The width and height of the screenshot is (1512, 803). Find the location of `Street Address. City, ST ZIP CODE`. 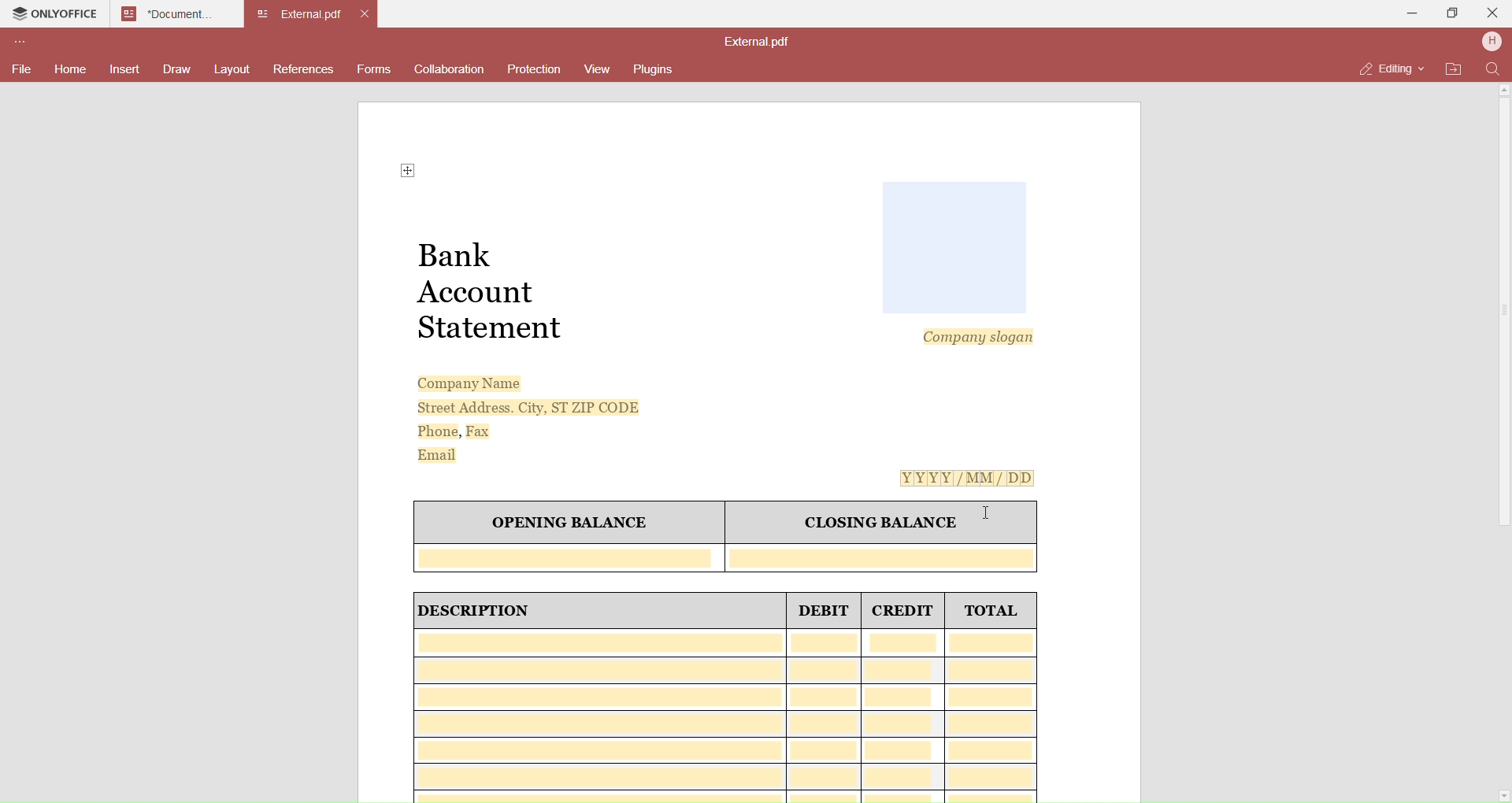

Street Address. City, ST ZIP CODE is located at coordinates (517, 408).